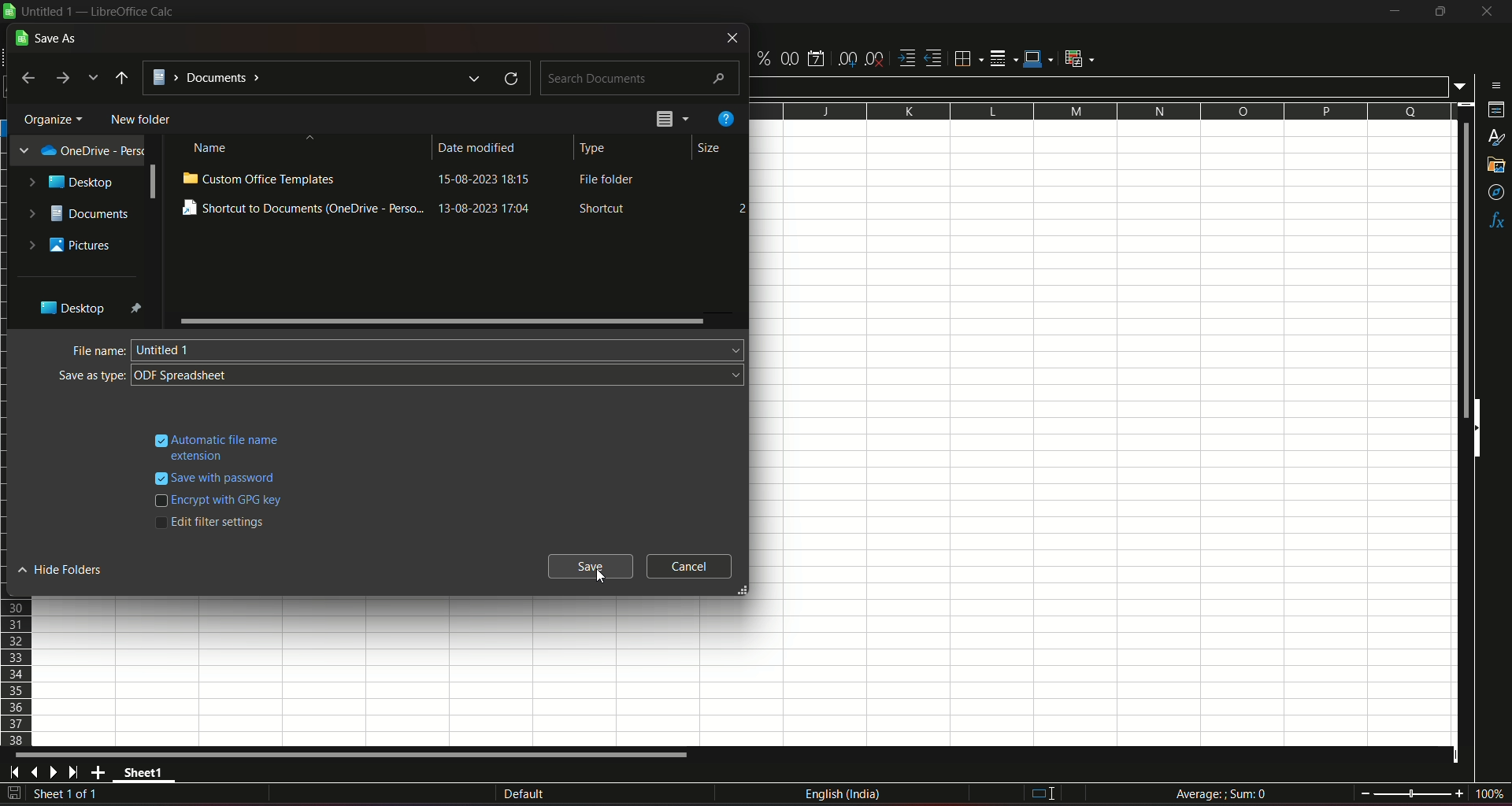  What do you see at coordinates (159, 527) in the screenshot?
I see `checkbox` at bounding box center [159, 527].